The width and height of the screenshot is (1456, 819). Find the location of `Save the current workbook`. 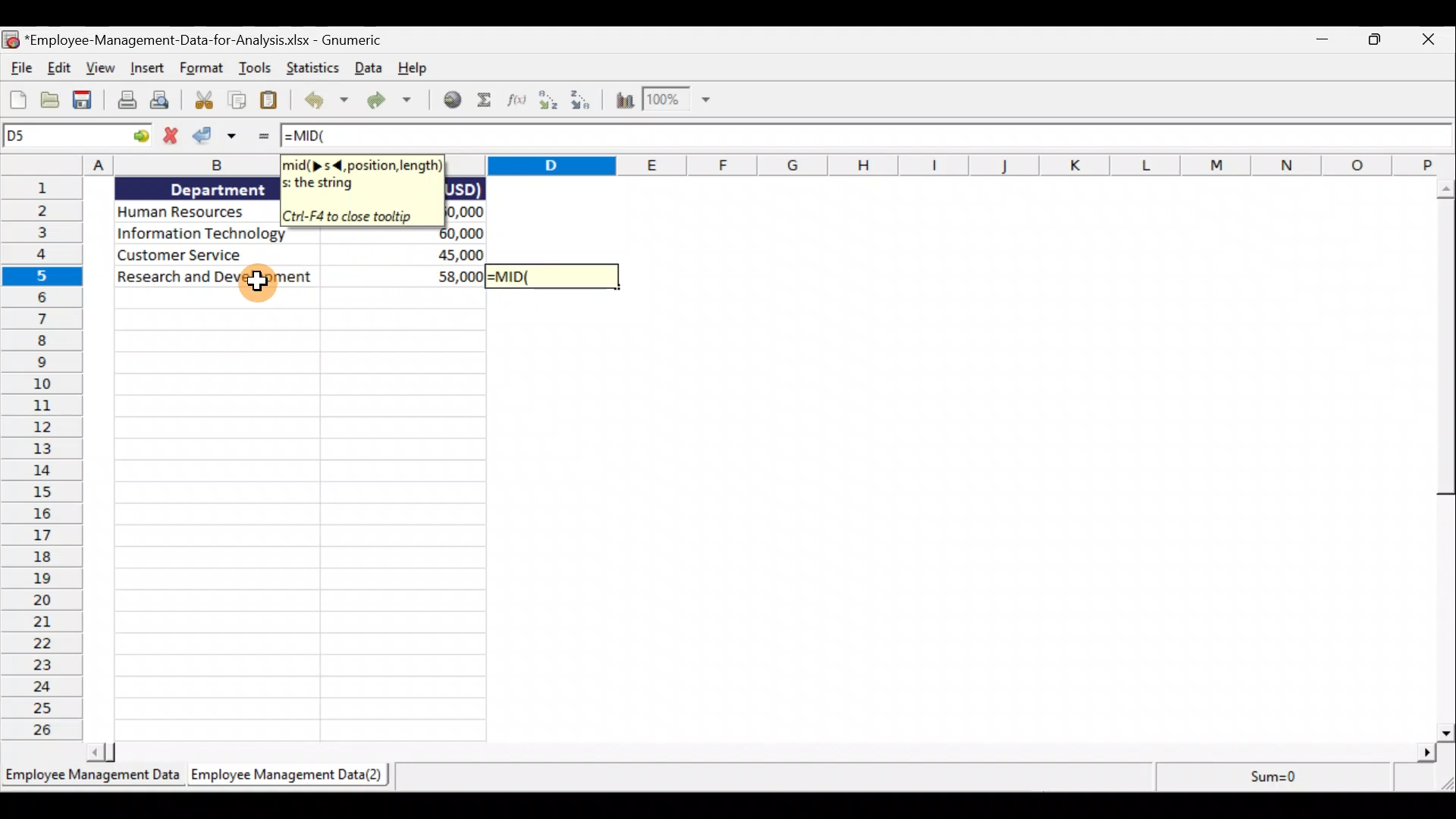

Save the current workbook is located at coordinates (81, 99).